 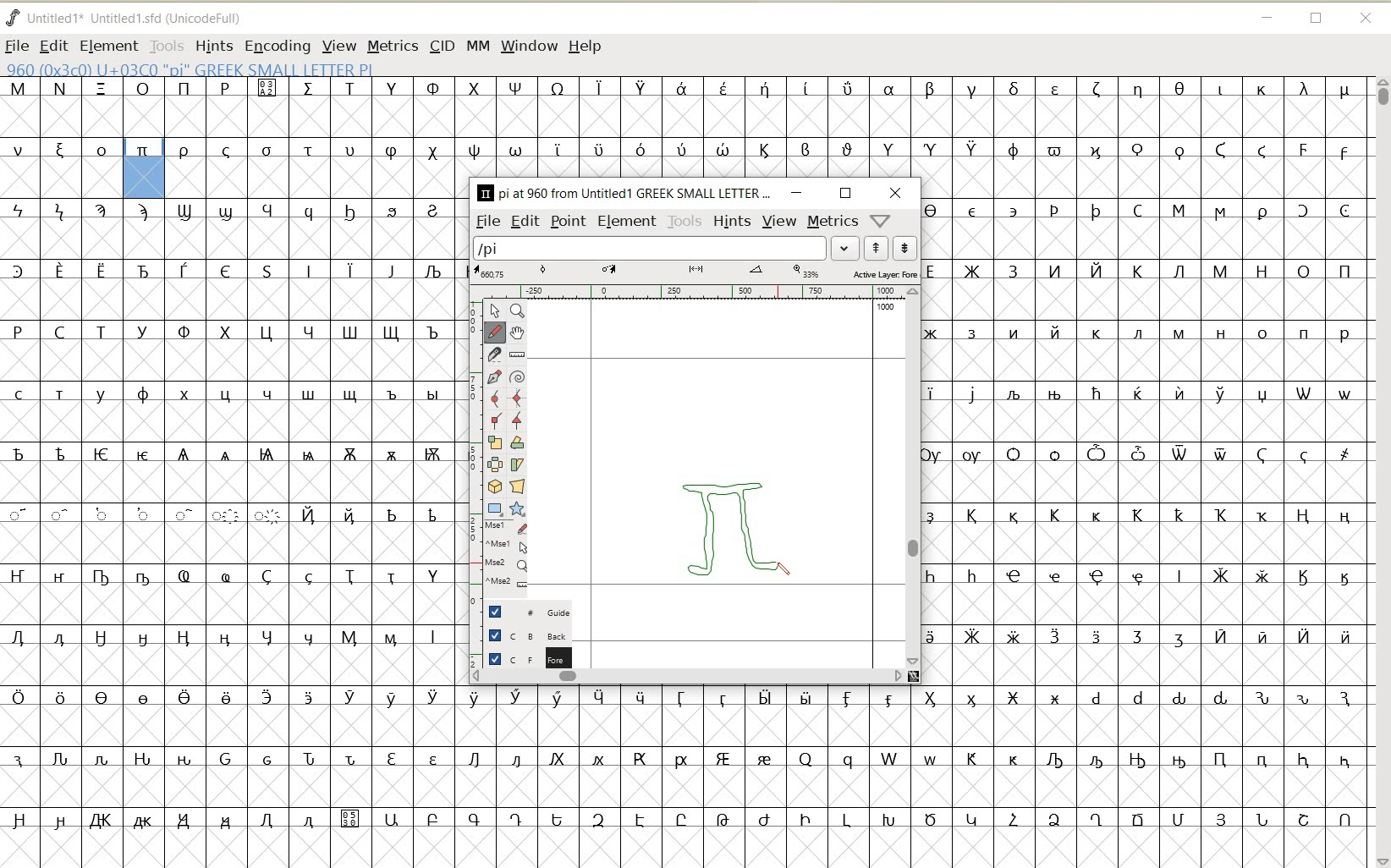 I want to click on BACKGROUND, so click(x=520, y=658).